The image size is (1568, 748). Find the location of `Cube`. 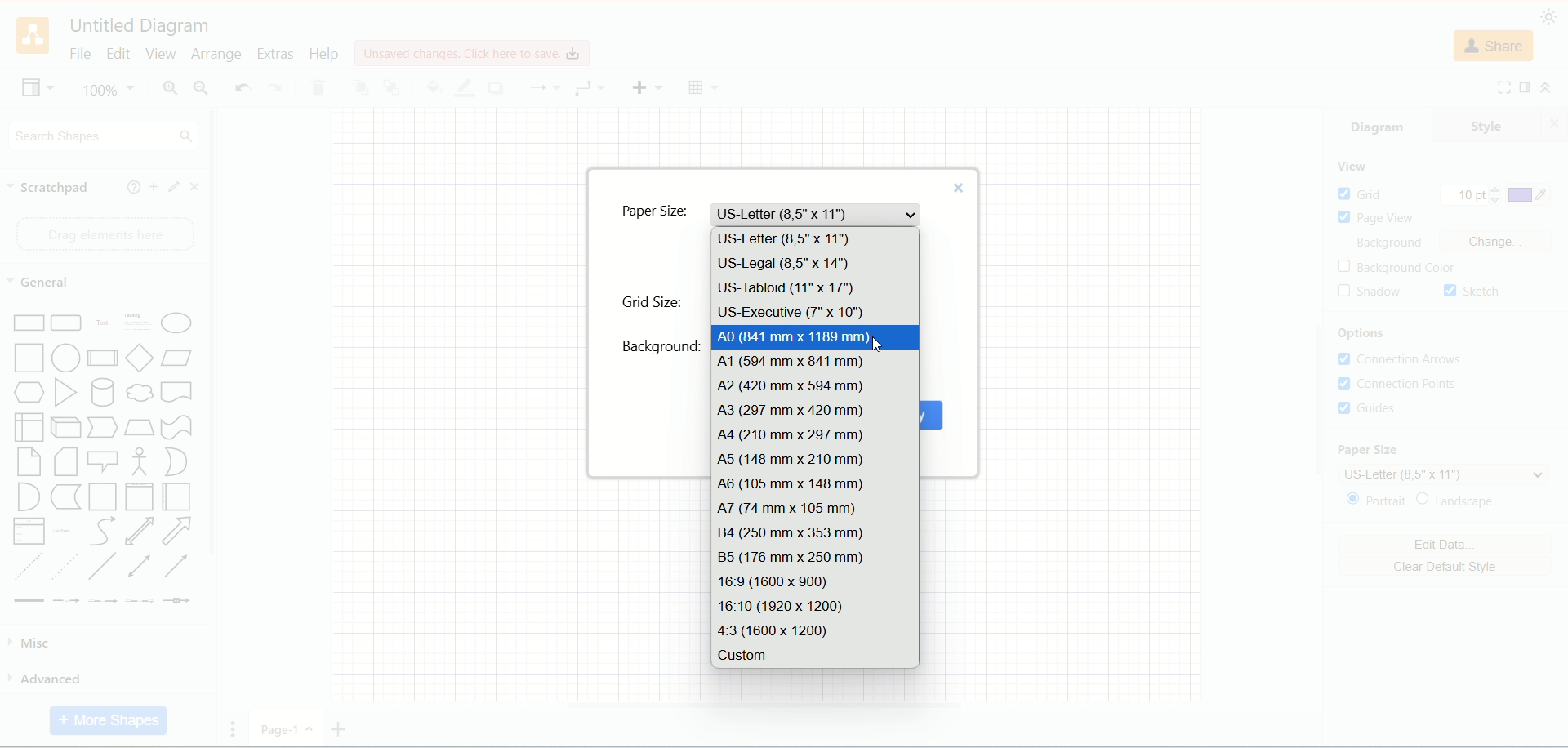

Cube is located at coordinates (65, 428).